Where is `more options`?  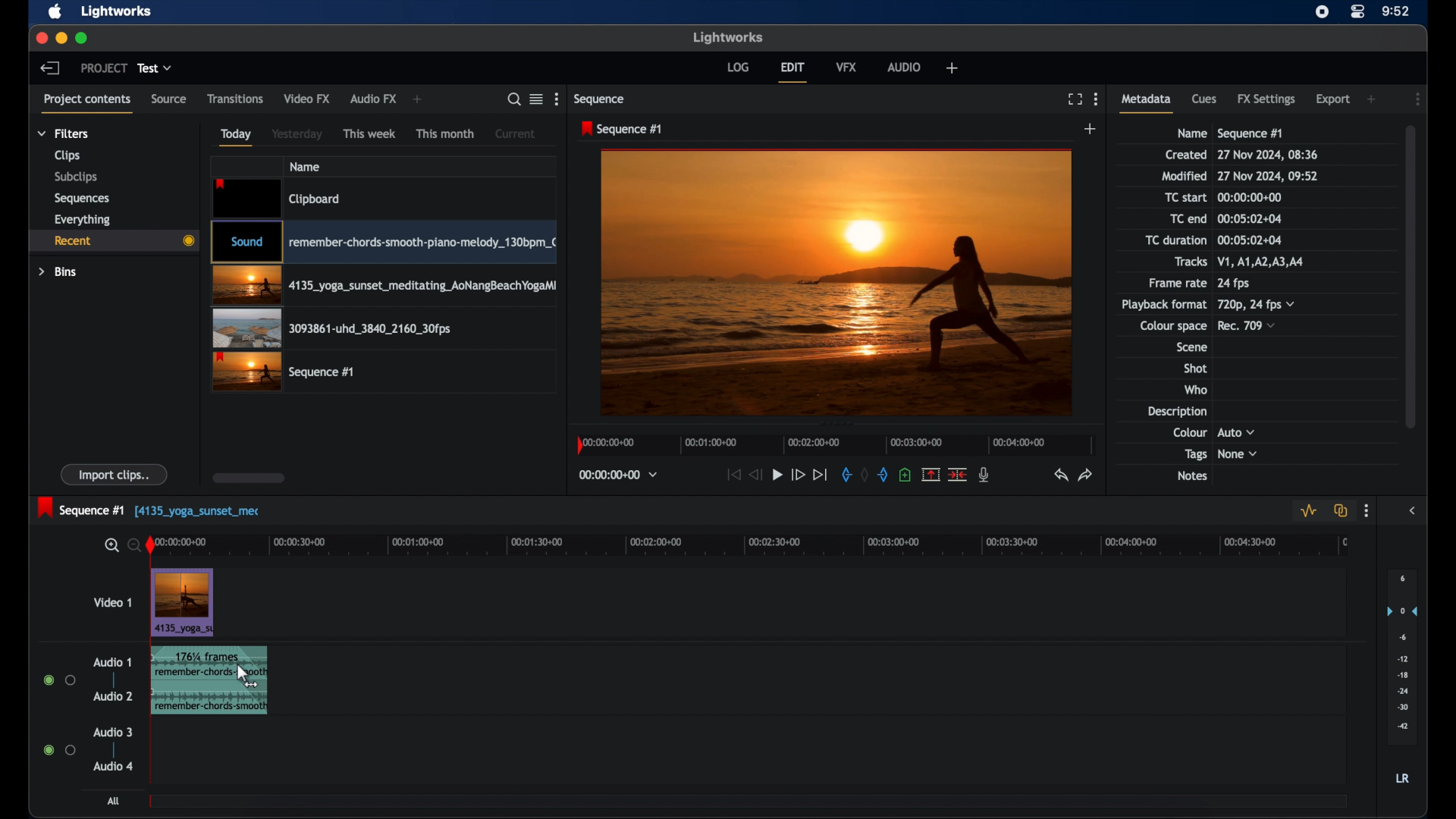
more options is located at coordinates (1367, 511).